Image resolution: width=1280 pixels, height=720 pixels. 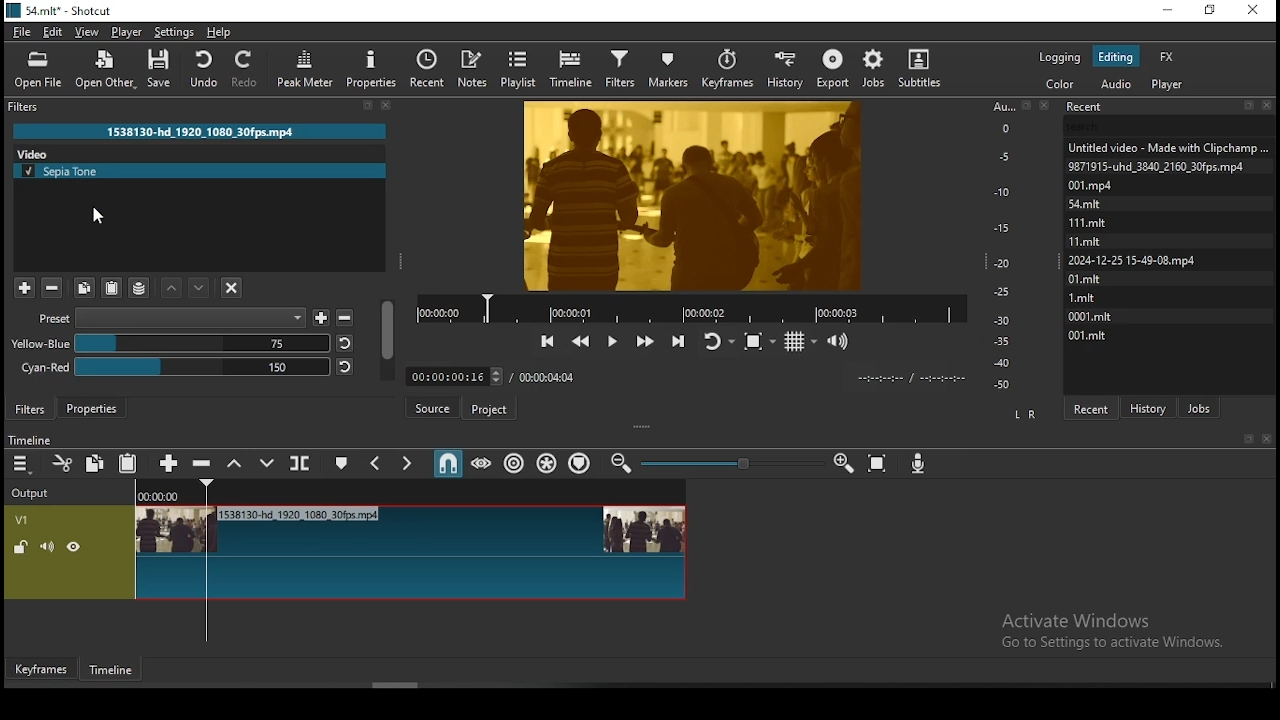 I want to click on ripple delete, so click(x=204, y=464).